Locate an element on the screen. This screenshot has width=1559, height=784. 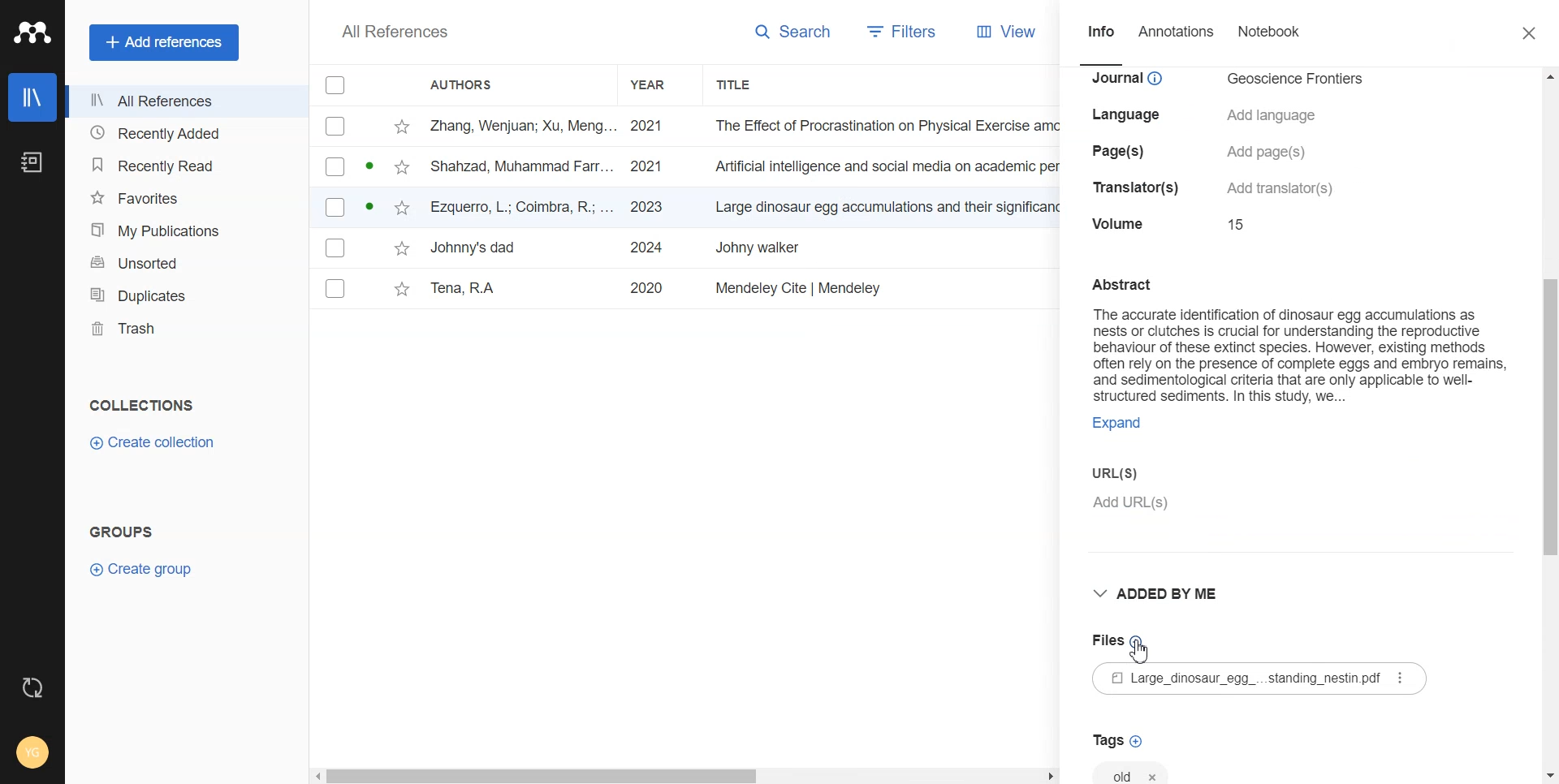
Trash is located at coordinates (186, 328).